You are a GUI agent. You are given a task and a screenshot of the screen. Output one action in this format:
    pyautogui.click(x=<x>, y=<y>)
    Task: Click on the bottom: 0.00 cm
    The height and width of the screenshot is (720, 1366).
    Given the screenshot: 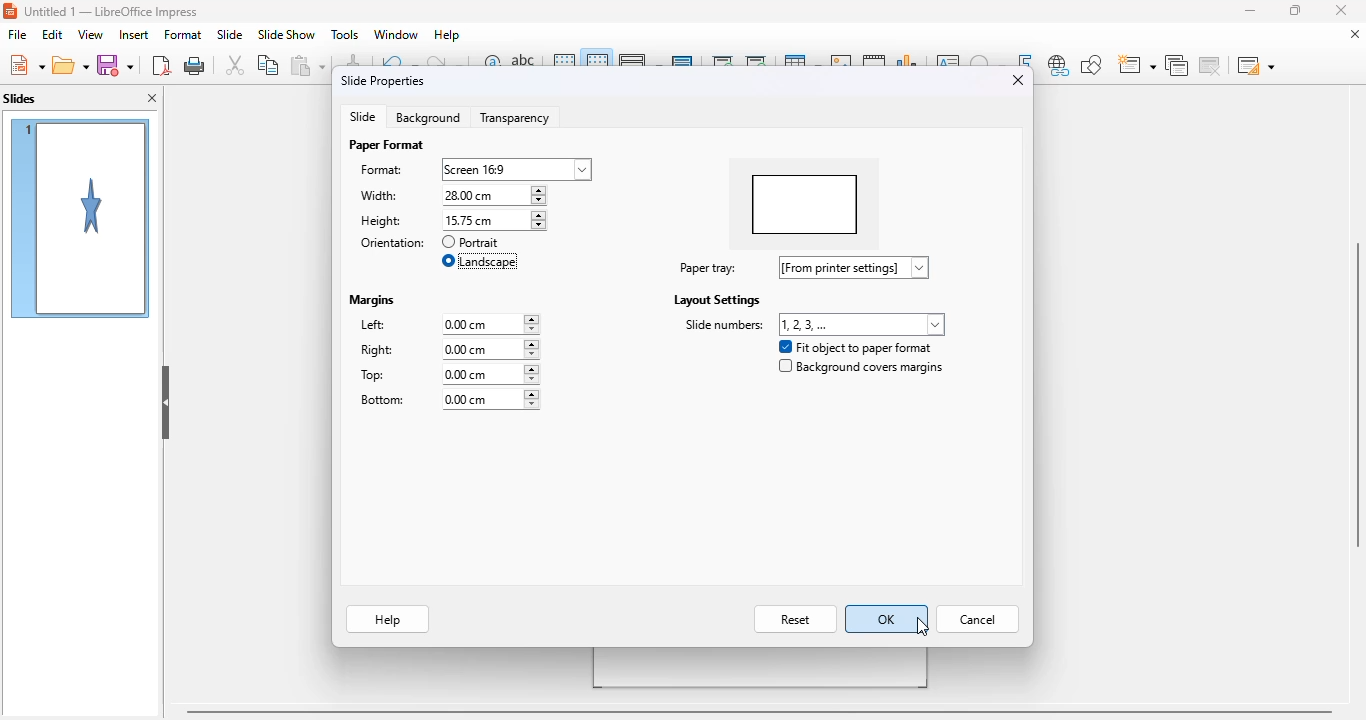 What is the action you would take?
    pyautogui.click(x=482, y=399)
    